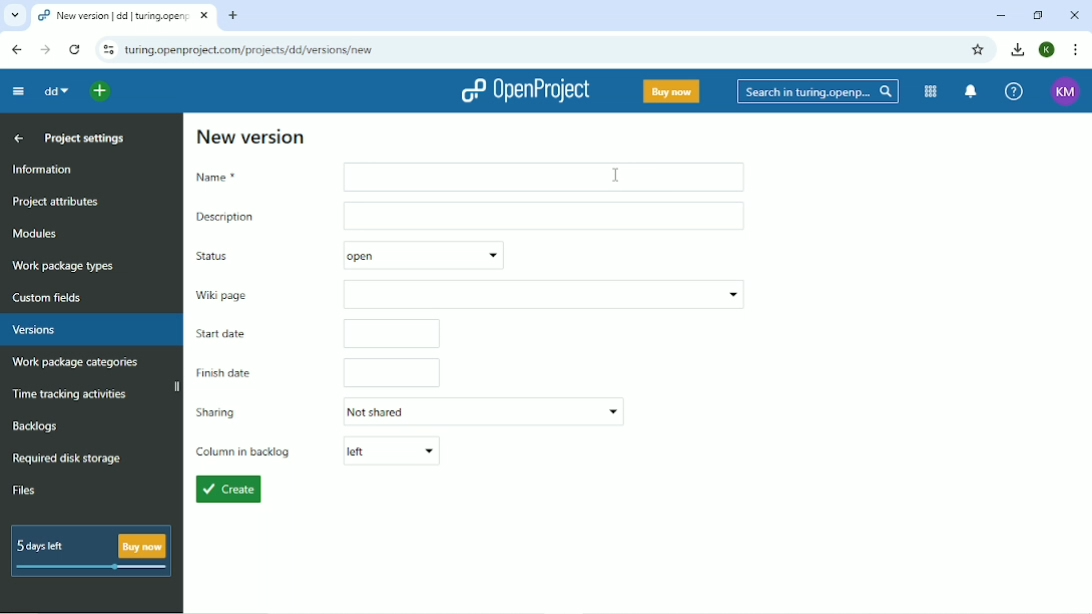  I want to click on Download, so click(1016, 49).